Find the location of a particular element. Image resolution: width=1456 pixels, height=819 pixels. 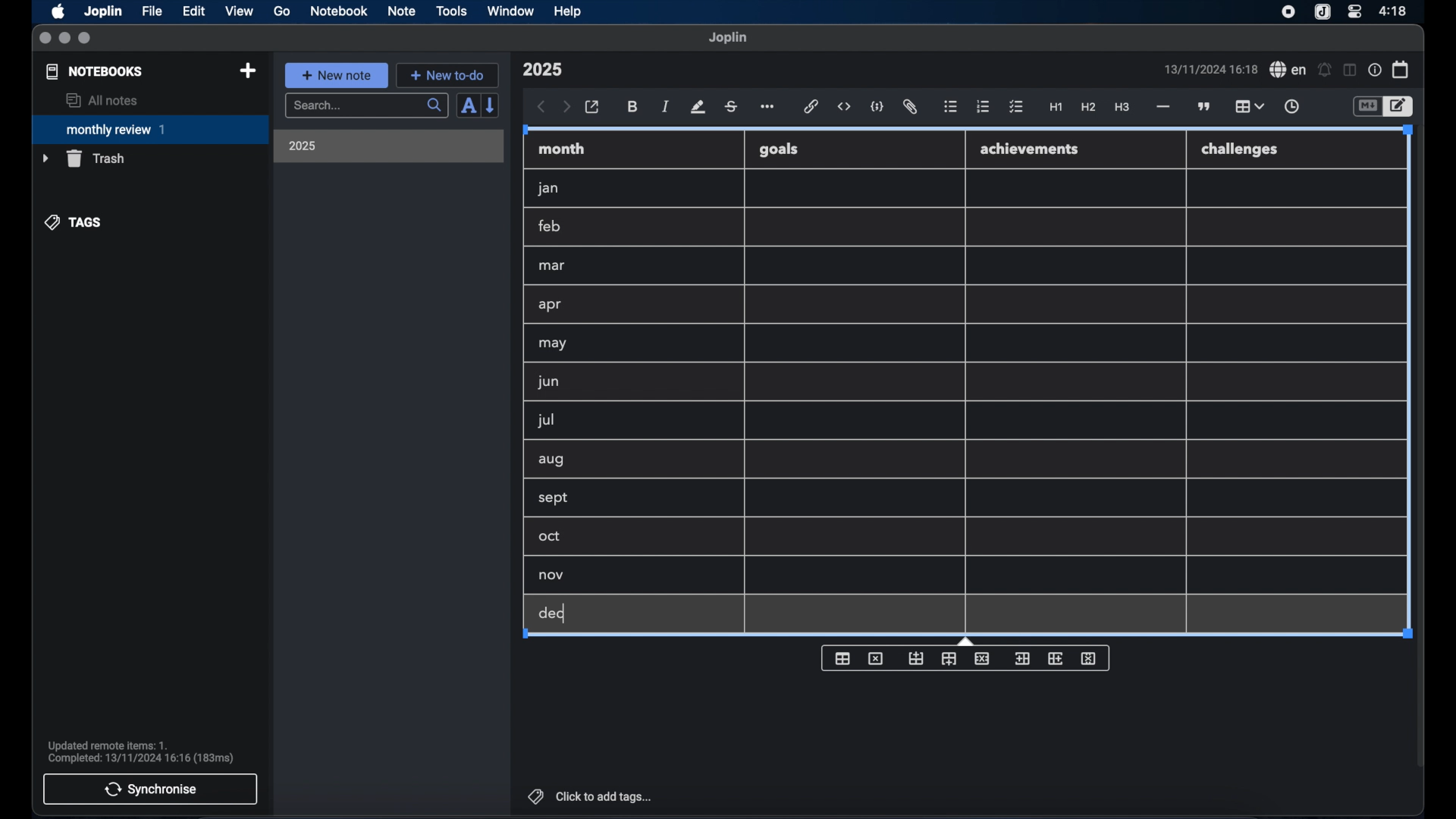

new notebook is located at coordinates (247, 71).